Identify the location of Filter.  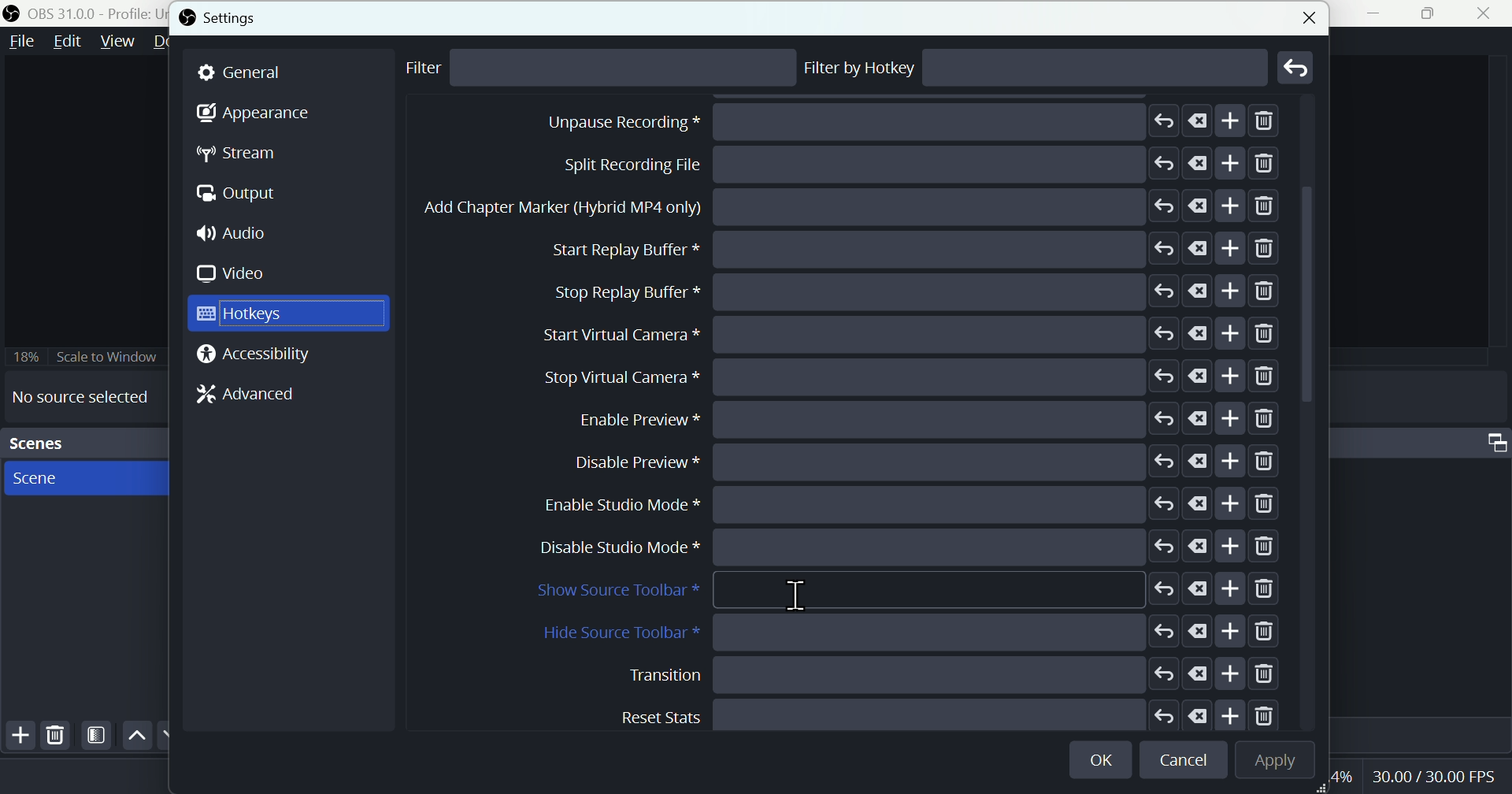
(97, 736).